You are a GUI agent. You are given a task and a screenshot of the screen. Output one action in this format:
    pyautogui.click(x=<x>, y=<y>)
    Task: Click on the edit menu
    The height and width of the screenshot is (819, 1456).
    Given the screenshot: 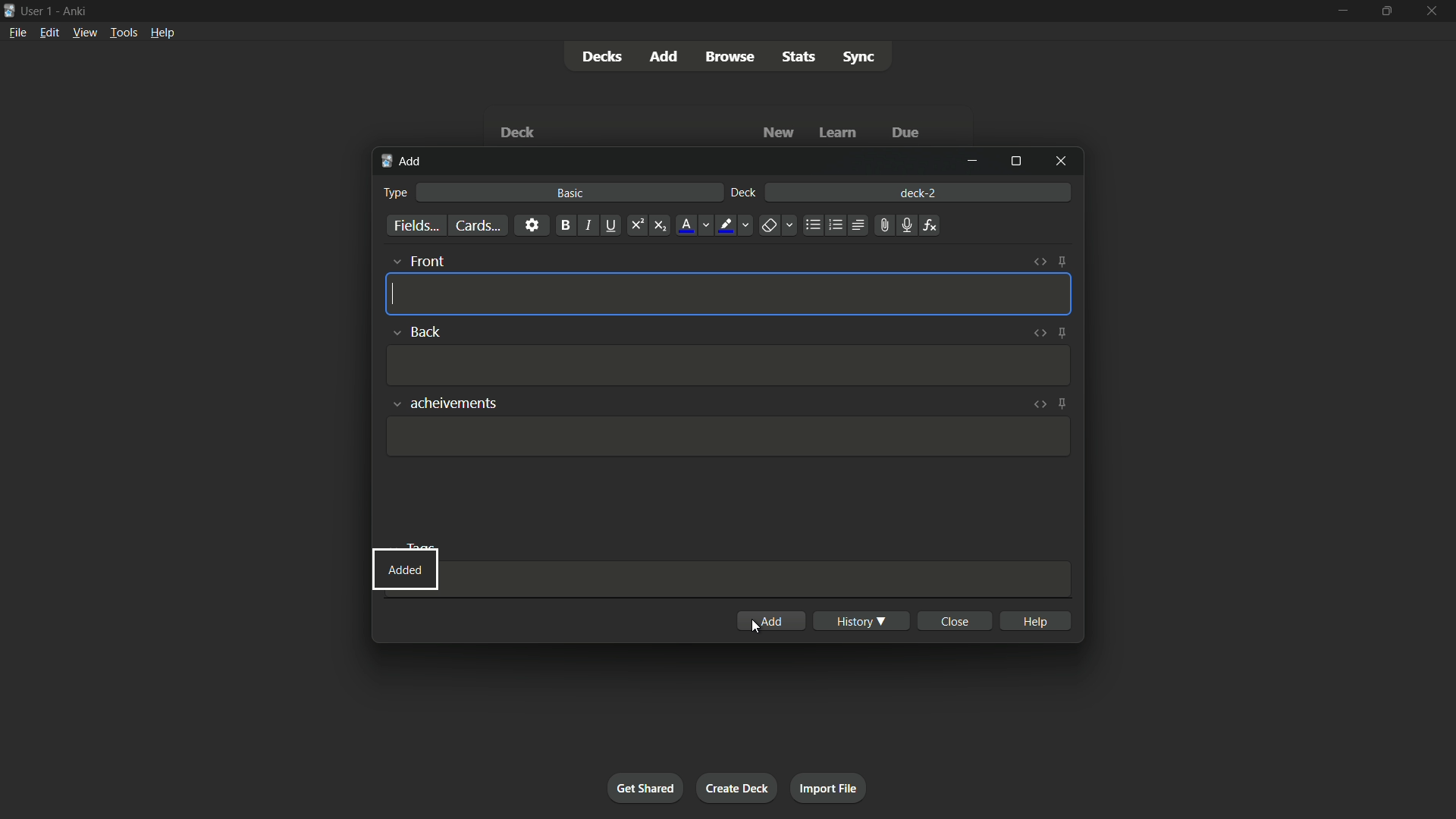 What is the action you would take?
    pyautogui.click(x=49, y=33)
    